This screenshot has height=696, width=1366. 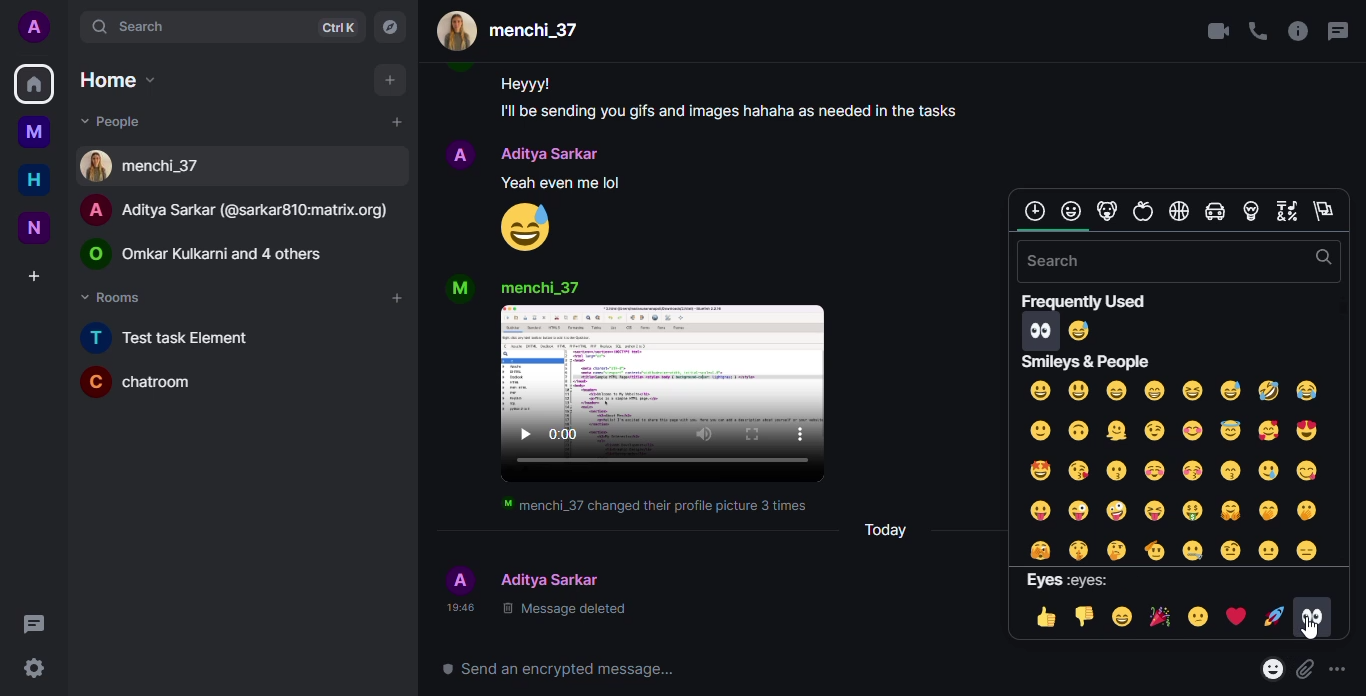 I want to click on objects, so click(x=1249, y=212).